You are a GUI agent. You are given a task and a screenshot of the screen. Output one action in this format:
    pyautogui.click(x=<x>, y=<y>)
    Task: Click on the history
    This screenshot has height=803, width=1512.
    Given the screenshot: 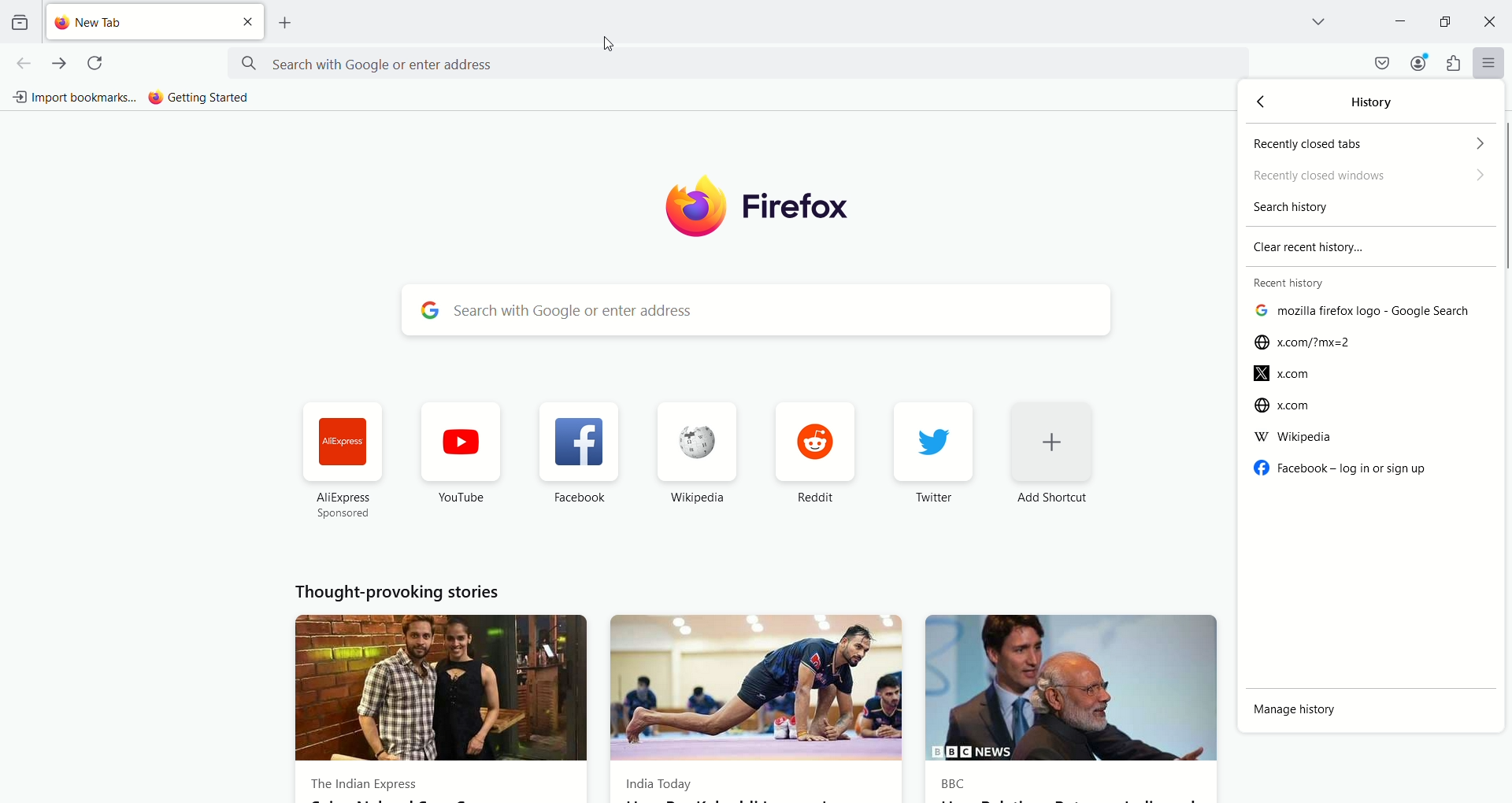 What is the action you would take?
    pyautogui.click(x=1372, y=107)
    